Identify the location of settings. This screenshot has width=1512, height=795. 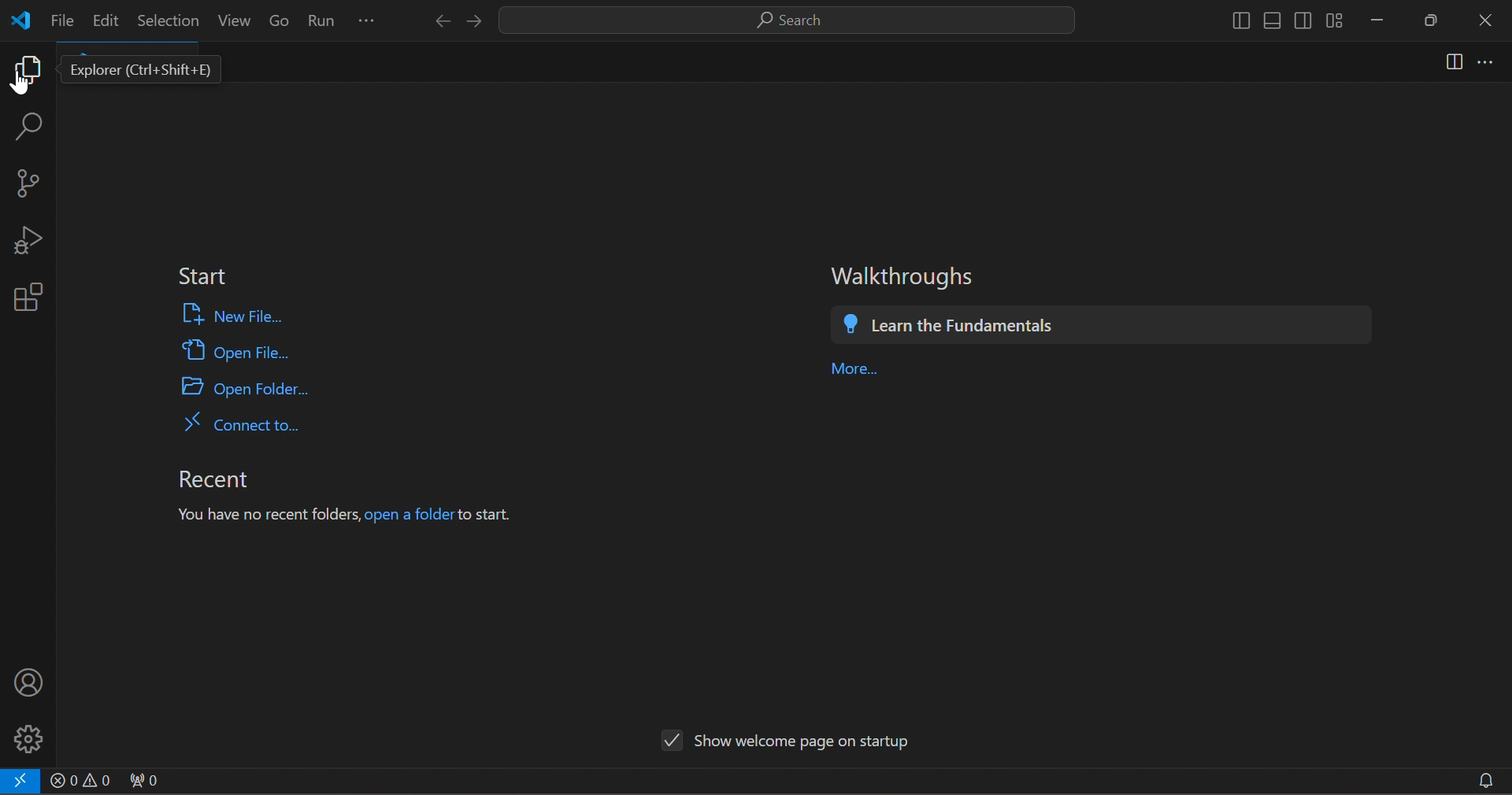
(35, 738).